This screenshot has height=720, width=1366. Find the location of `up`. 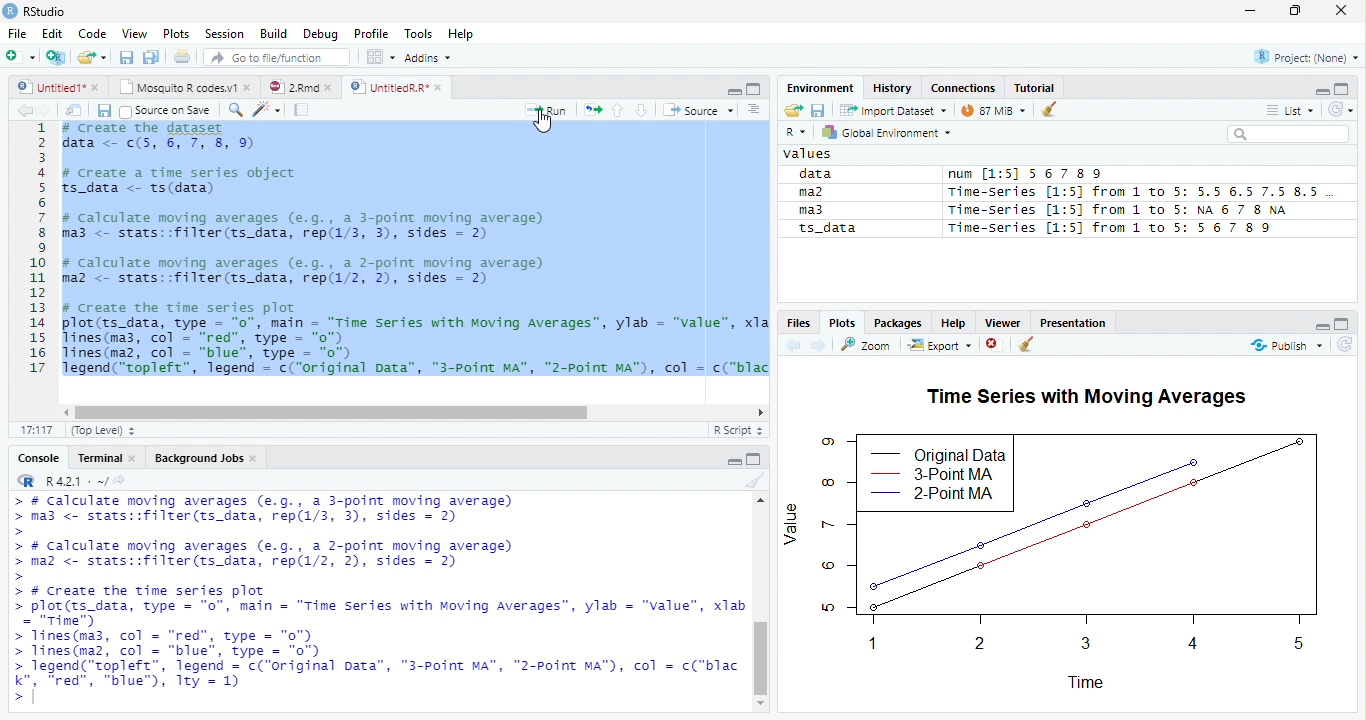

up is located at coordinates (618, 110).